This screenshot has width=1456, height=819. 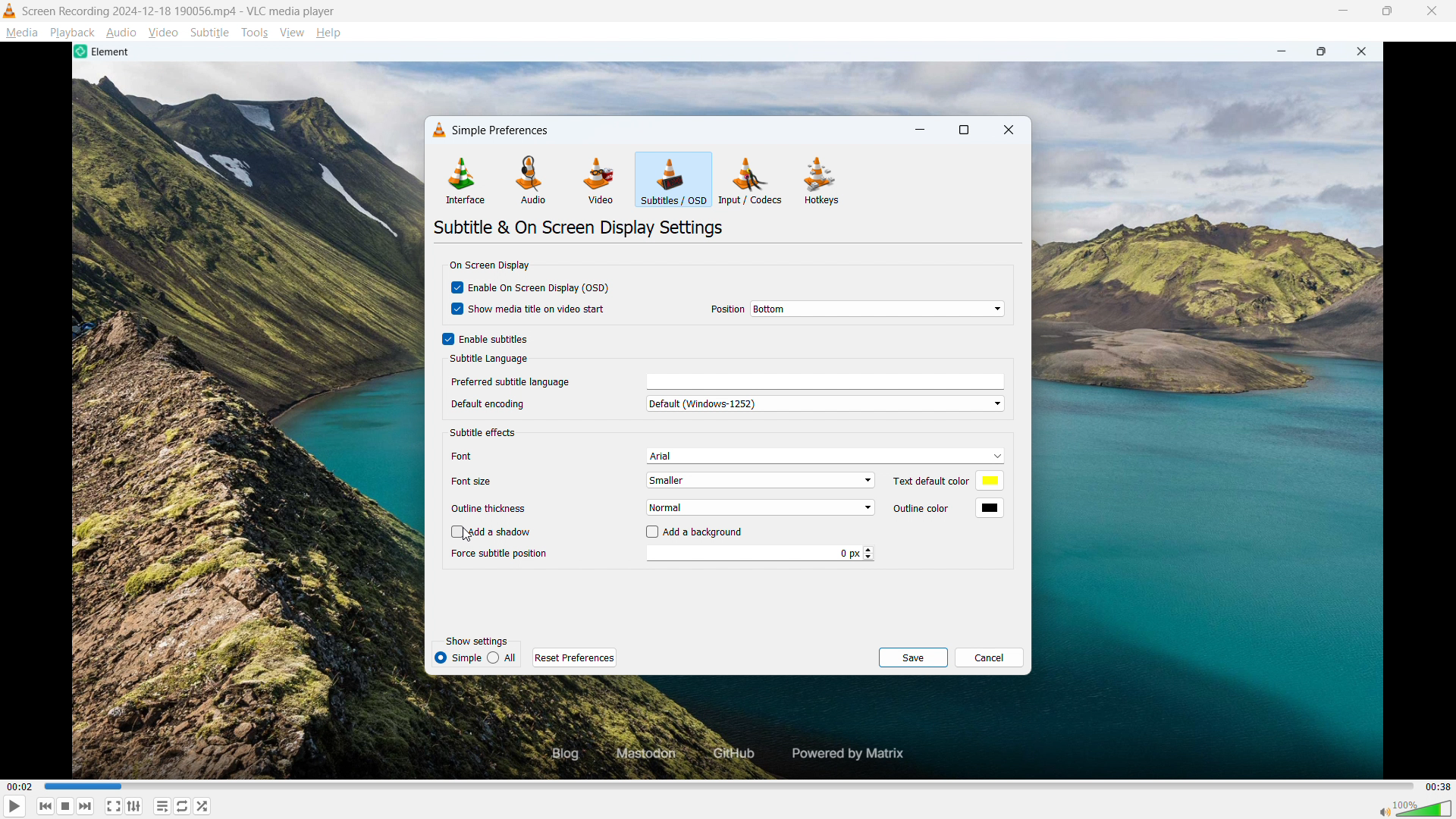 I want to click on Backward or previous media , so click(x=46, y=806).